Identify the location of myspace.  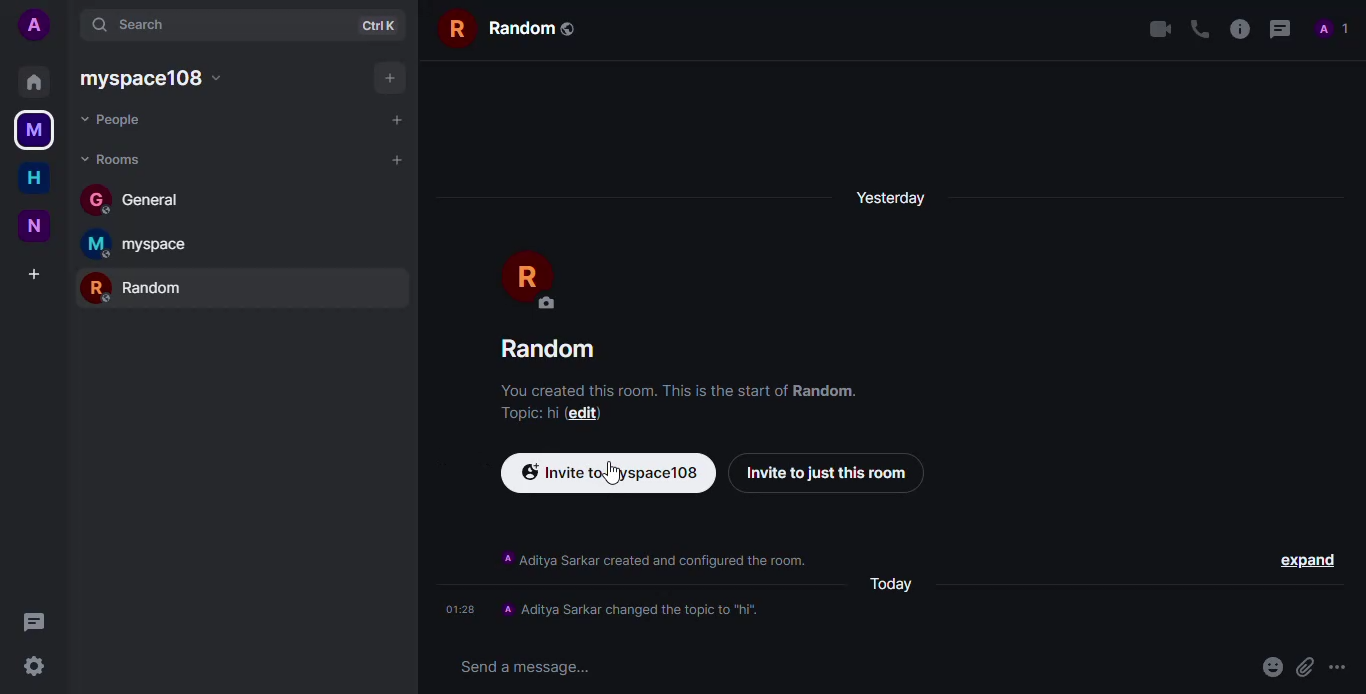
(148, 245).